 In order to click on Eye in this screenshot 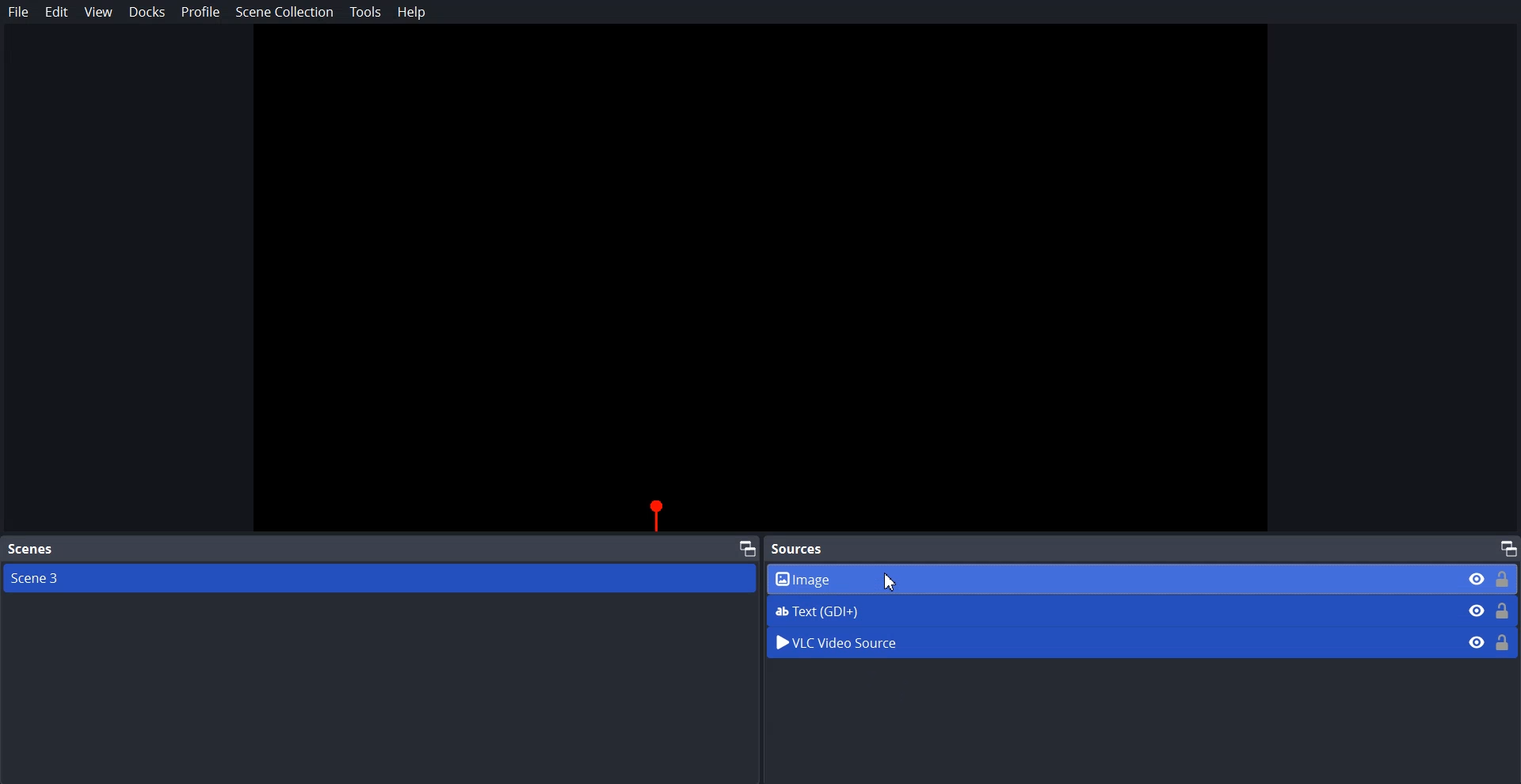, I will do `click(1477, 641)`.